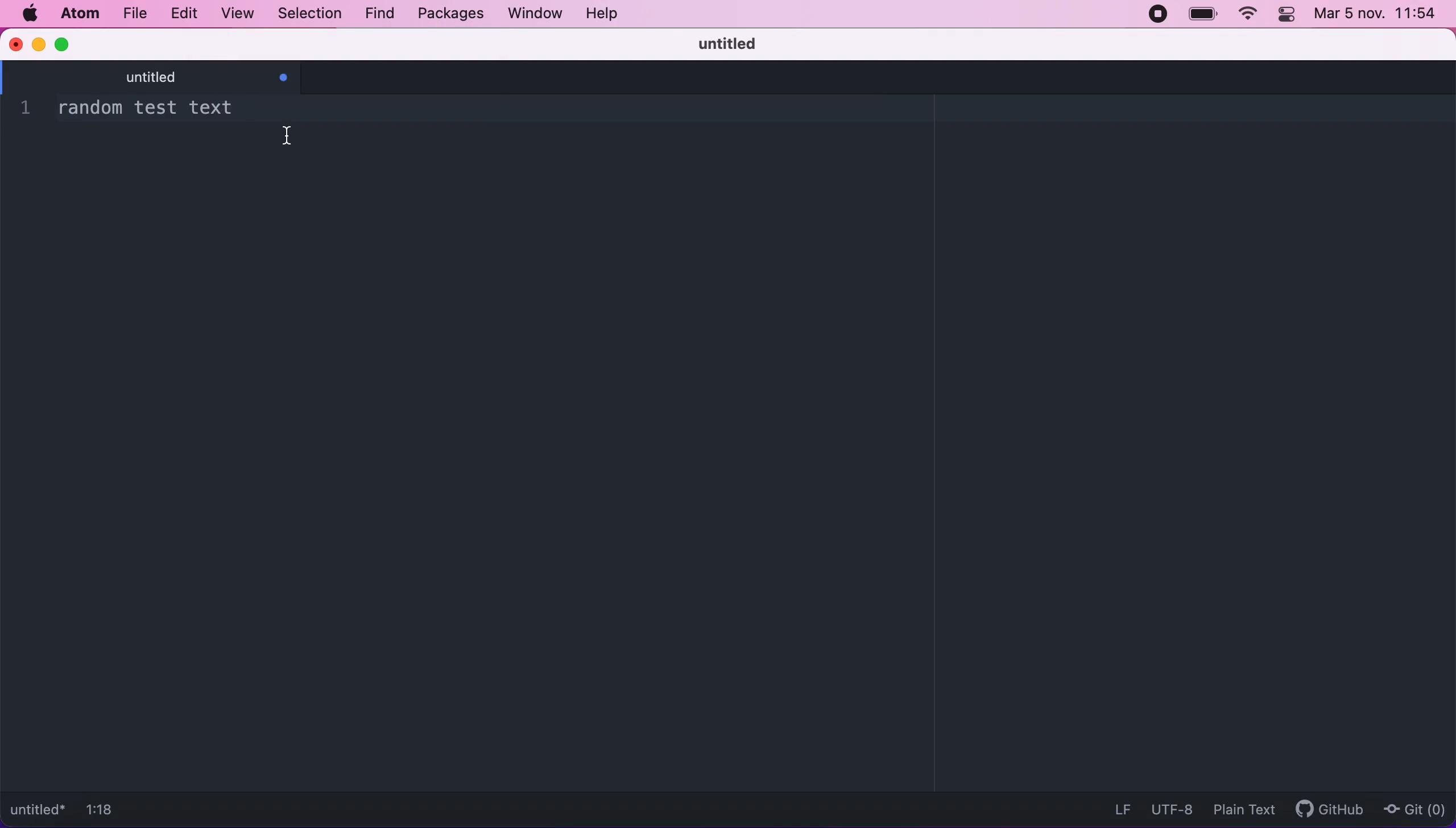 The image size is (1456, 828). What do you see at coordinates (135, 13) in the screenshot?
I see `file` at bounding box center [135, 13].